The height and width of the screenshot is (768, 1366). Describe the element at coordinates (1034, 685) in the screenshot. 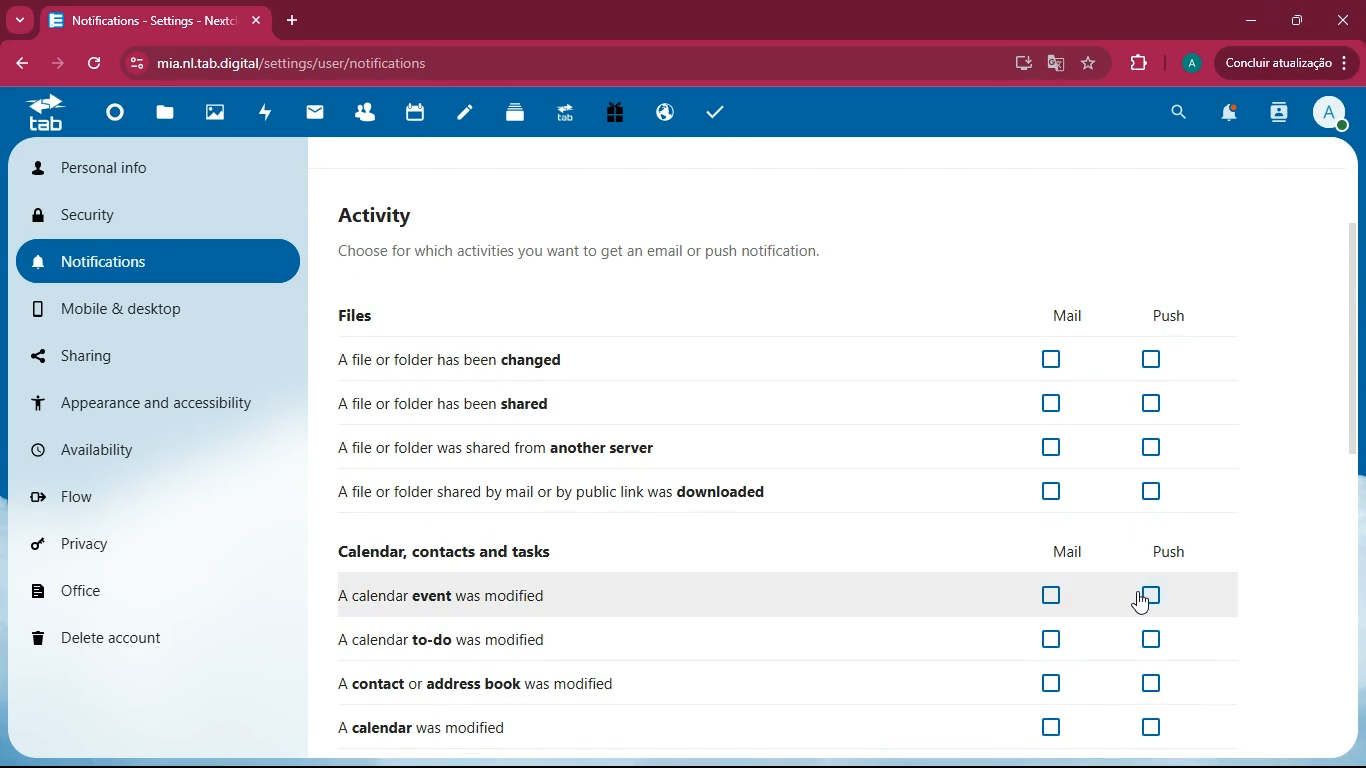

I see `off` at that location.